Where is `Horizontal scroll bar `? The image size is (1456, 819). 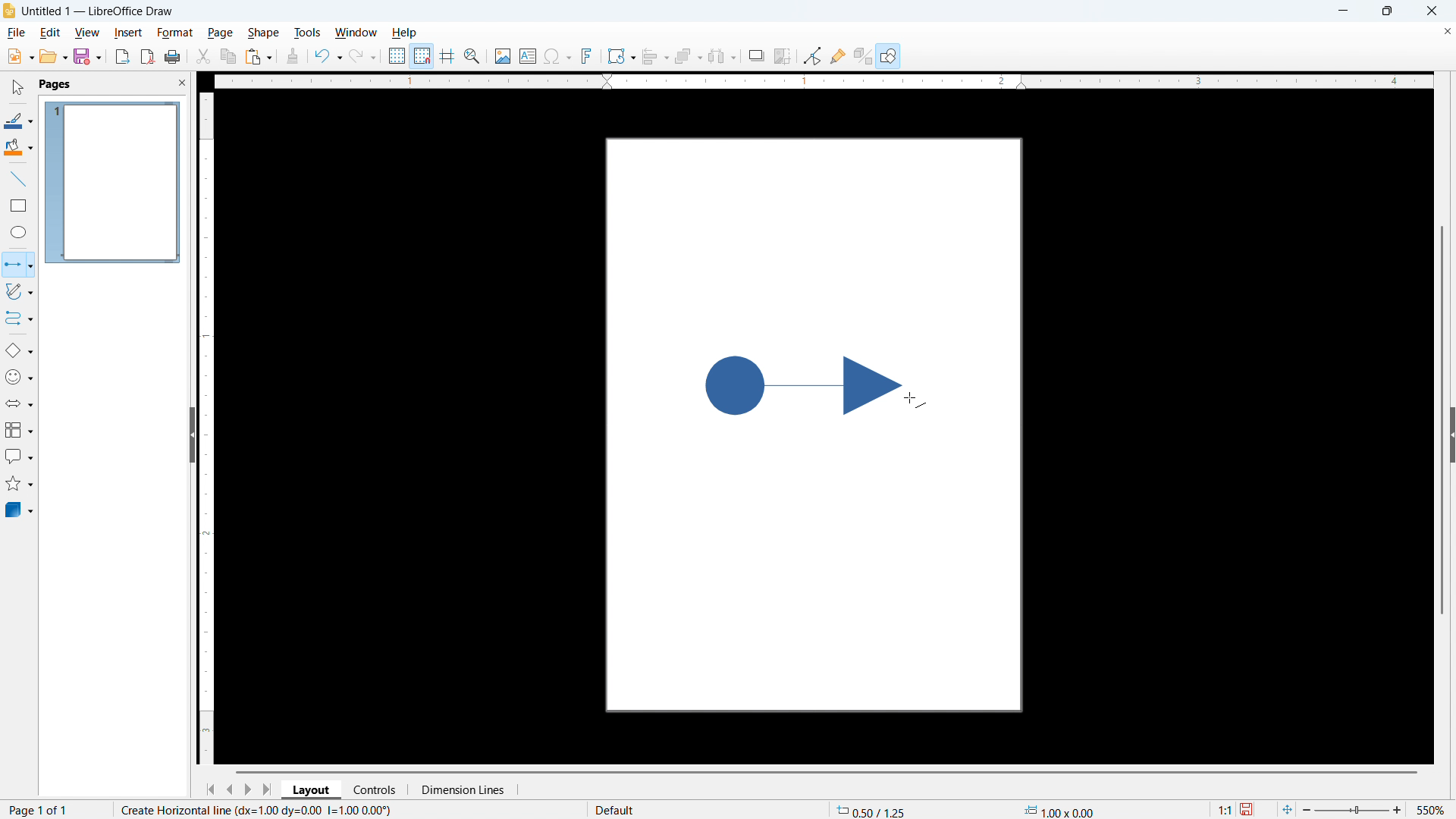 Horizontal scroll bar  is located at coordinates (827, 772).